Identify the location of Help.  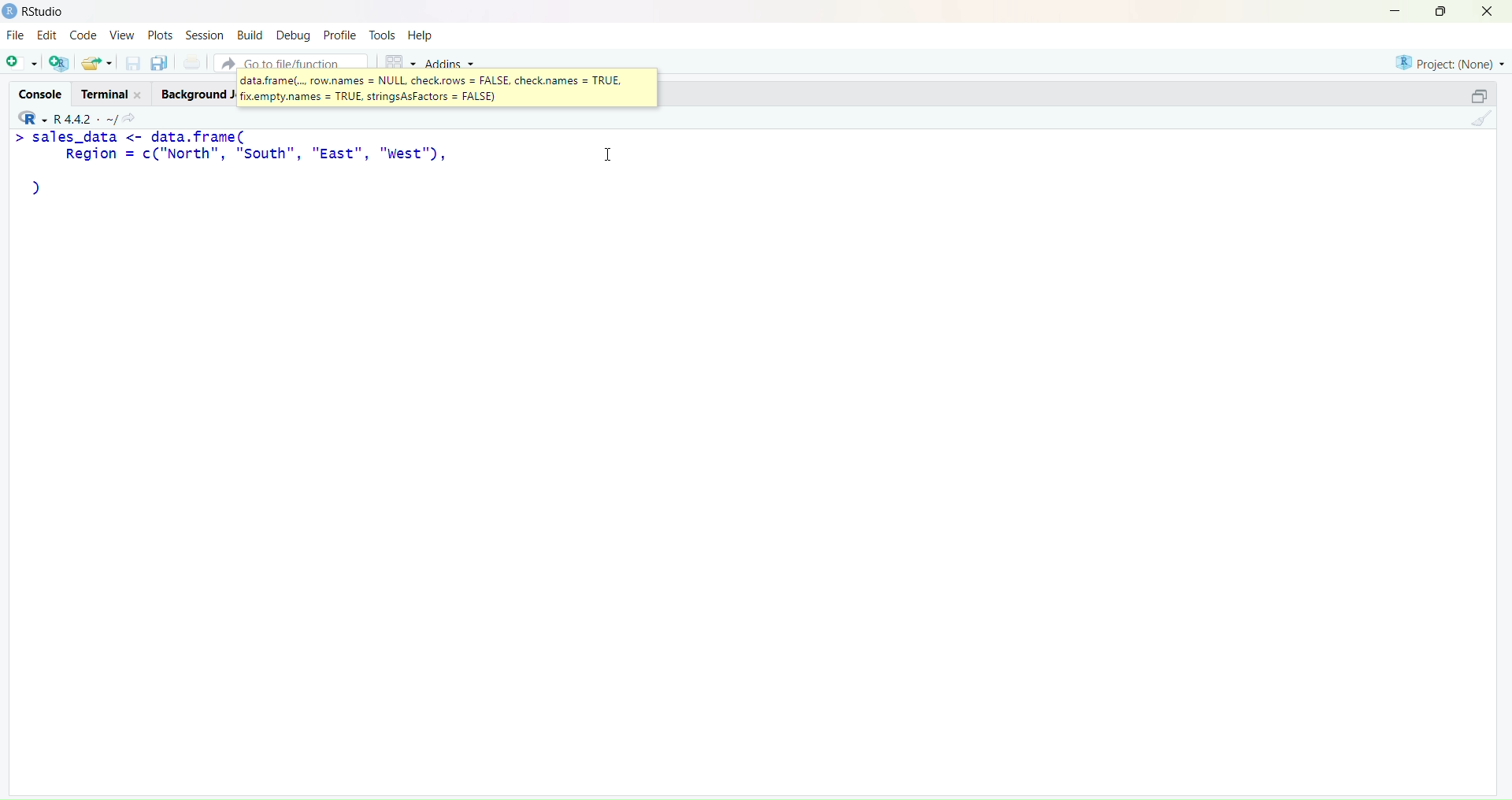
(423, 36).